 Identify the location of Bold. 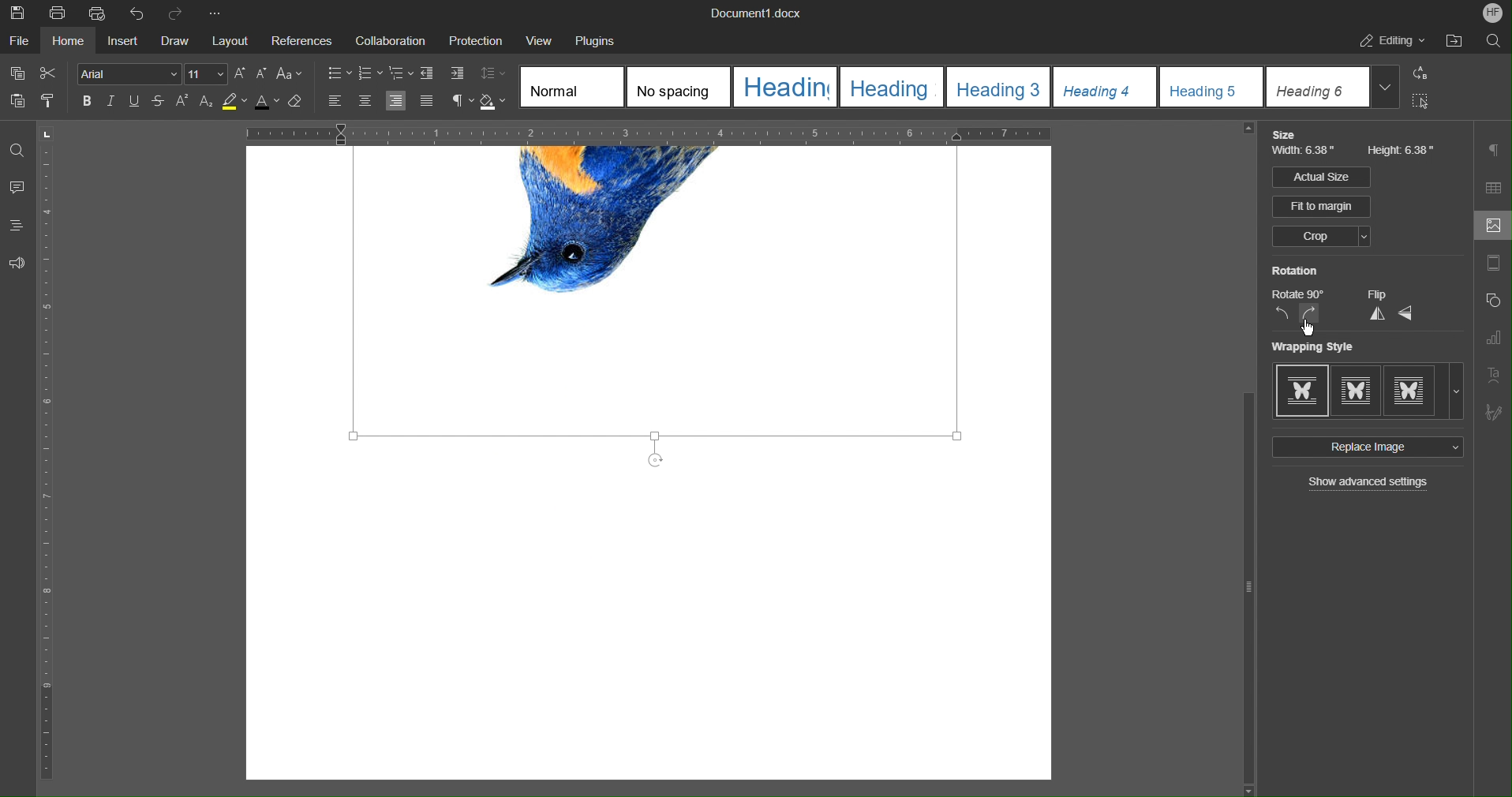
(88, 101).